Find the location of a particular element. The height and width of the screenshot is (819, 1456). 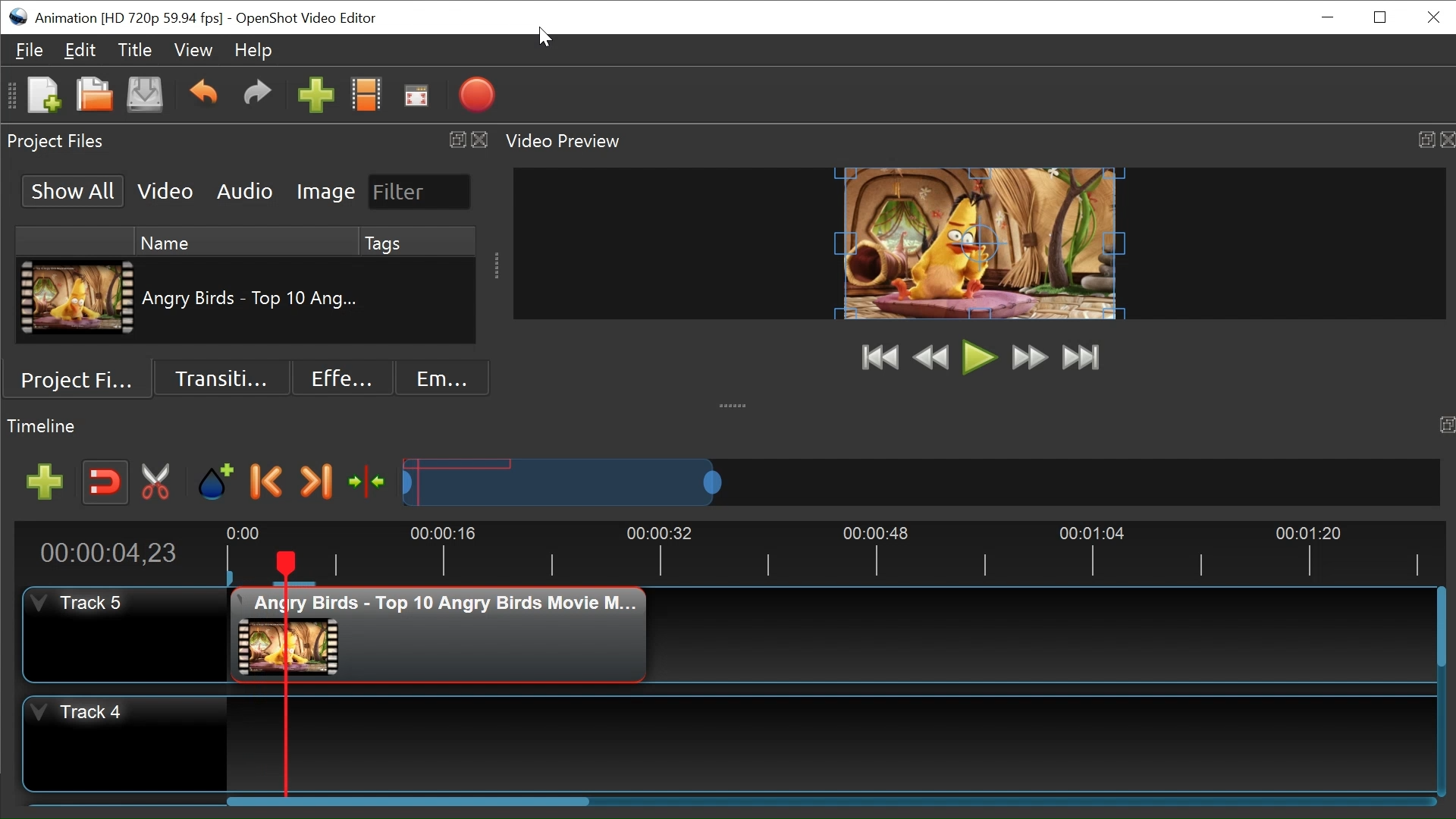

Clip Name is located at coordinates (253, 300).